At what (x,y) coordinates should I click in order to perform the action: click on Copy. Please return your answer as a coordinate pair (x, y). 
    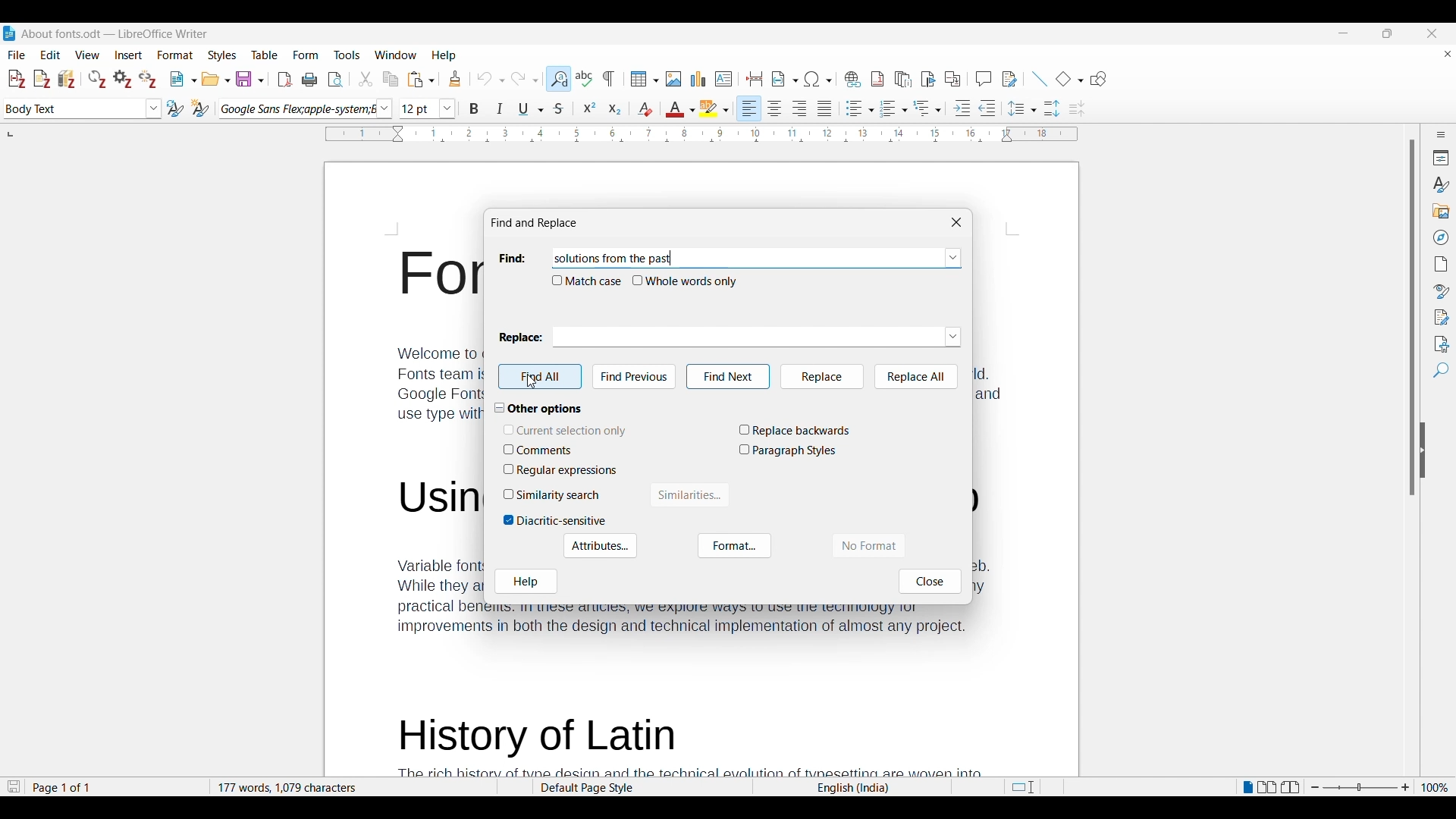
    Looking at the image, I should click on (391, 79).